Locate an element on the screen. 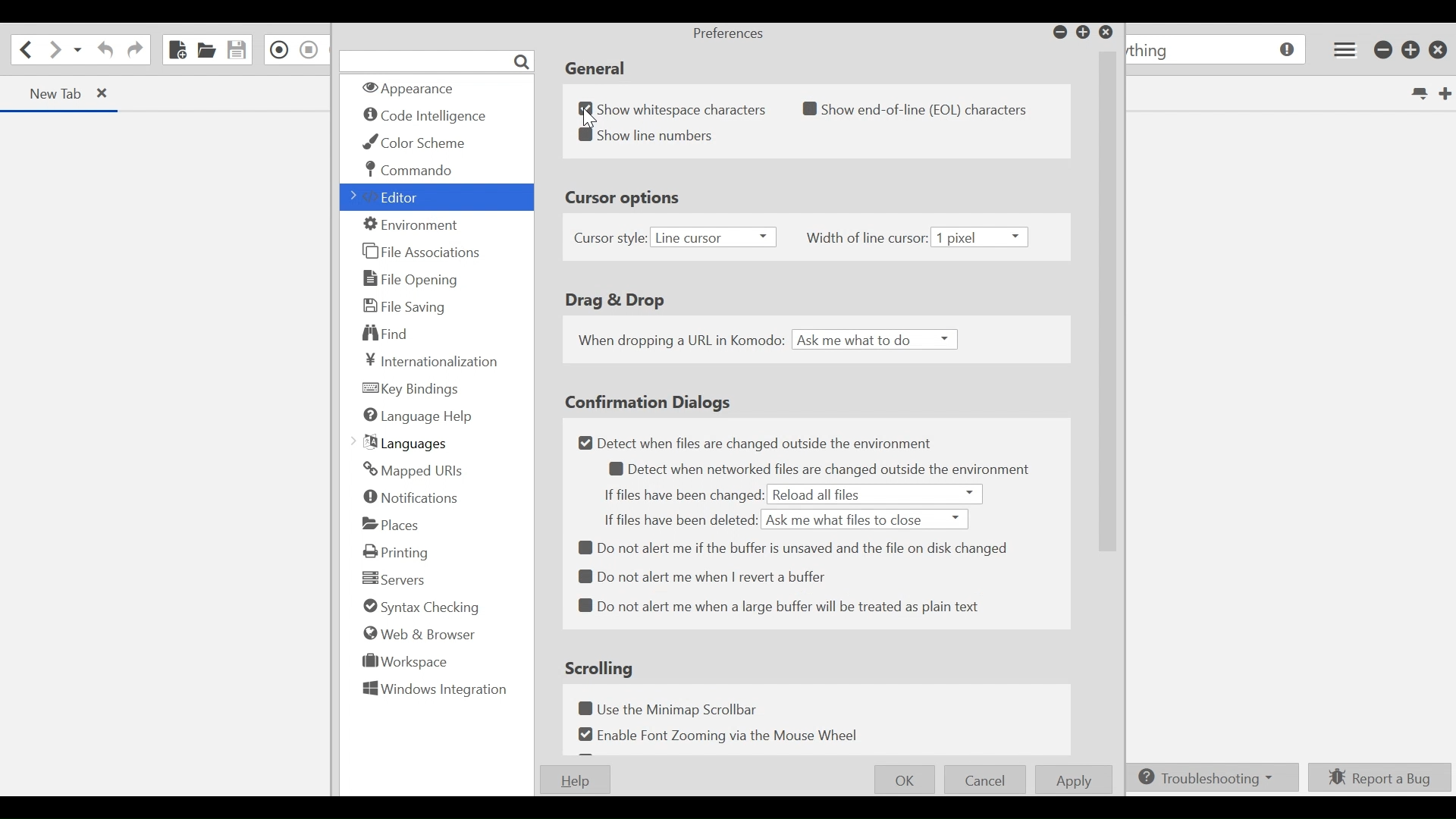  Printing is located at coordinates (397, 552).